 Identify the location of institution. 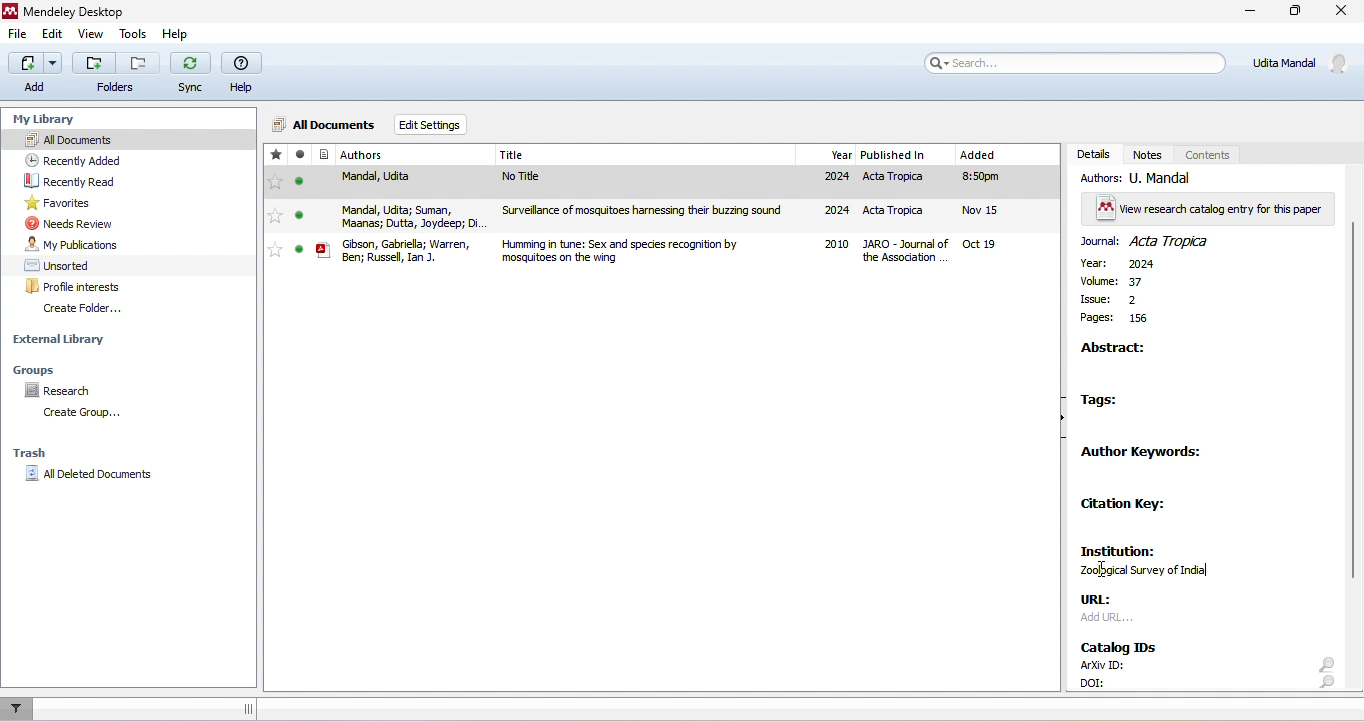
(1116, 548).